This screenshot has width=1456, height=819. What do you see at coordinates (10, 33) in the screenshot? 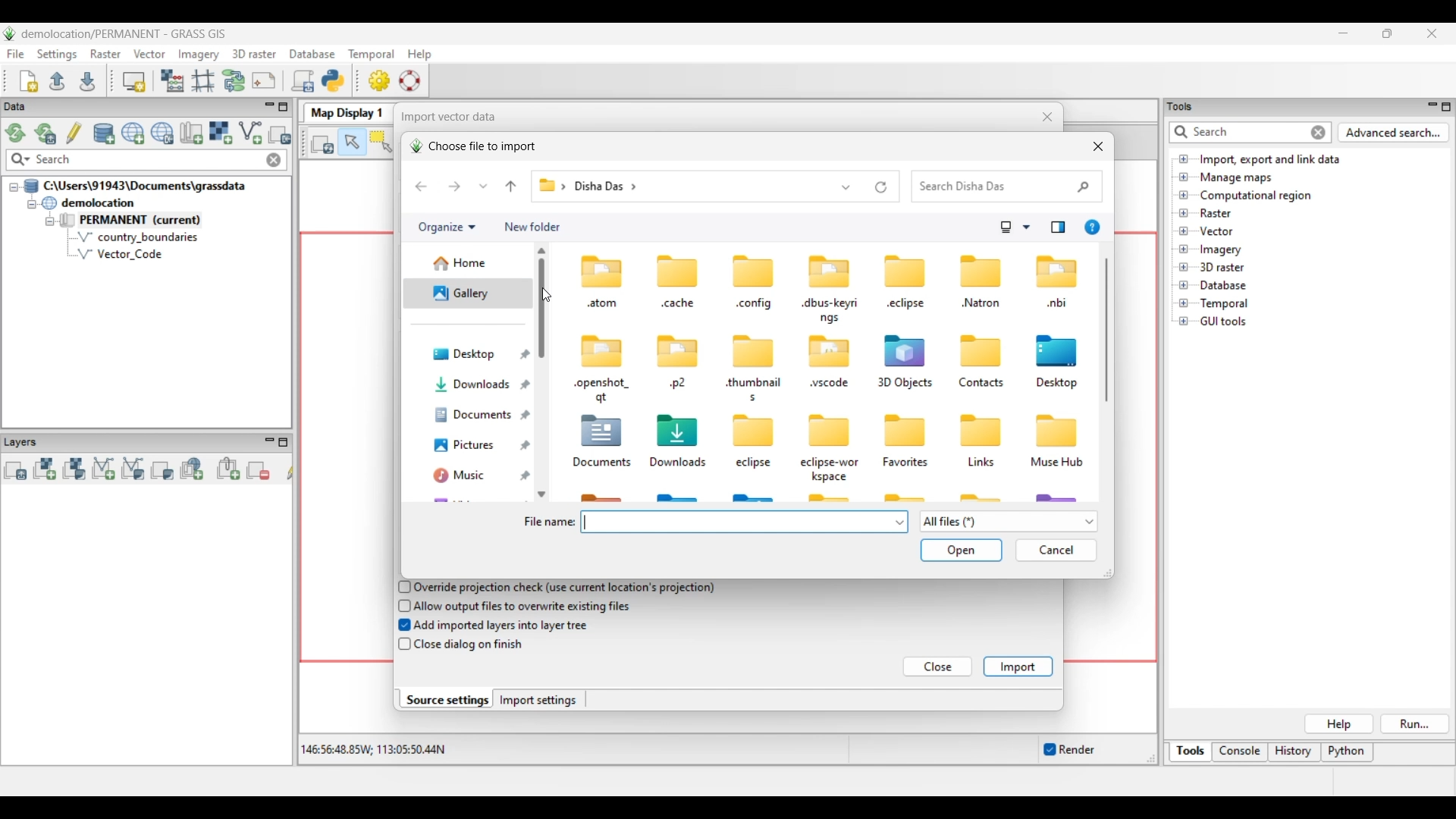
I see `Software logo` at bounding box center [10, 33].